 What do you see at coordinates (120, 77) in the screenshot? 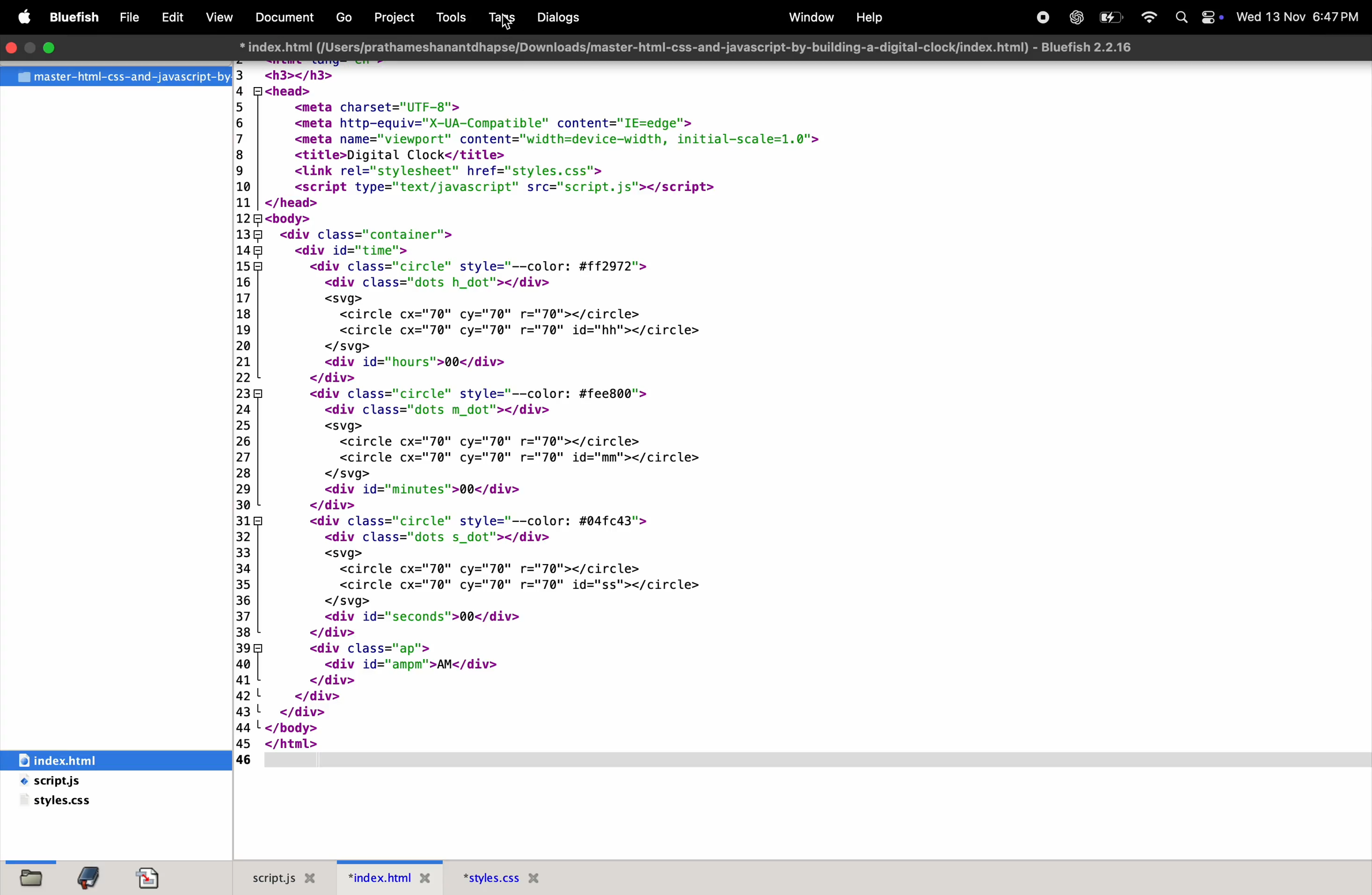
I see `File` at bounding box center [120, 77].